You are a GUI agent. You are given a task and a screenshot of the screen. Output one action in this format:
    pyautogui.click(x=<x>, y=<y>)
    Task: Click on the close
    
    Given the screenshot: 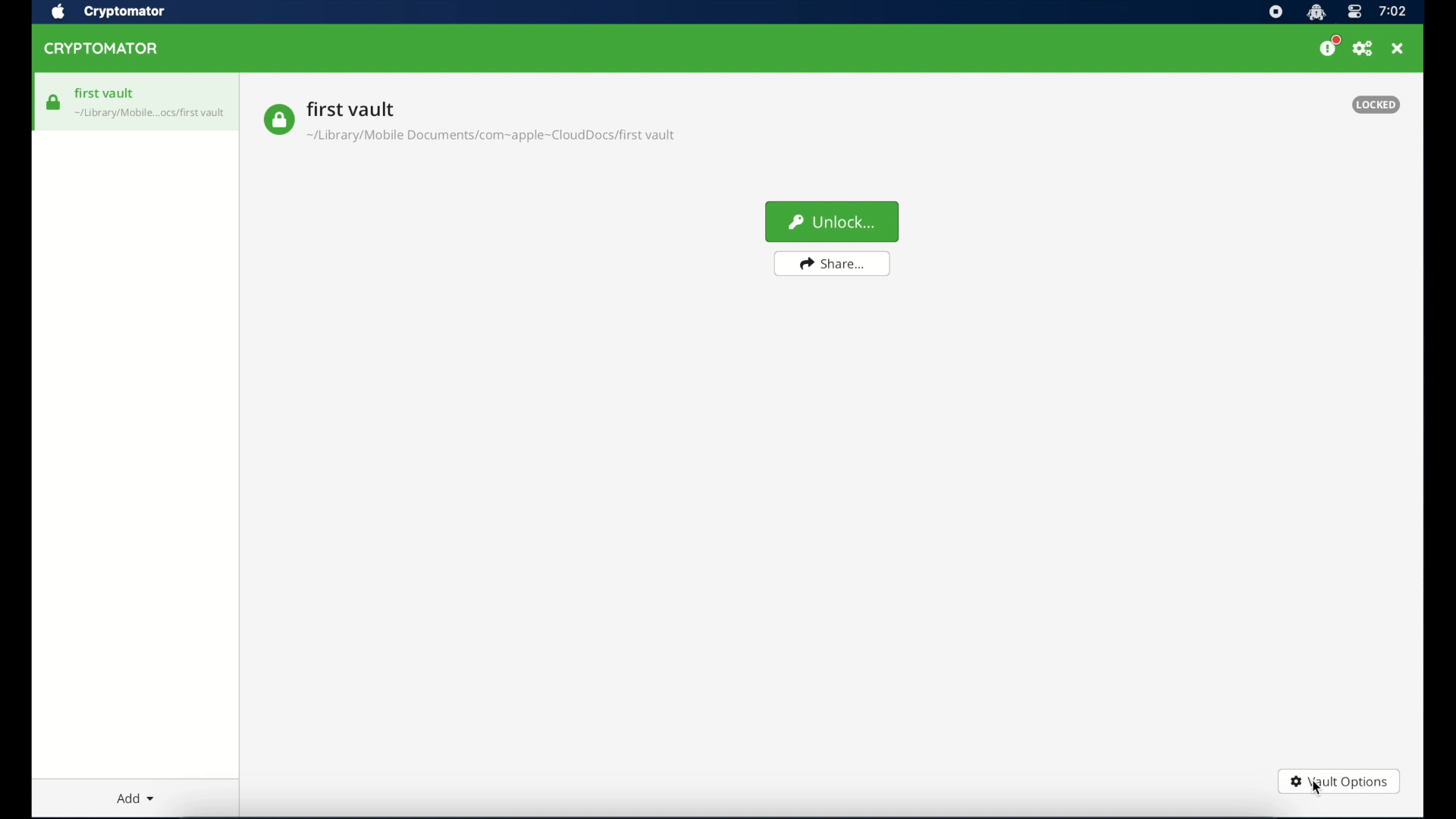 What is the action you would take?
    pyautogui.click(x=1398, y=49)
    